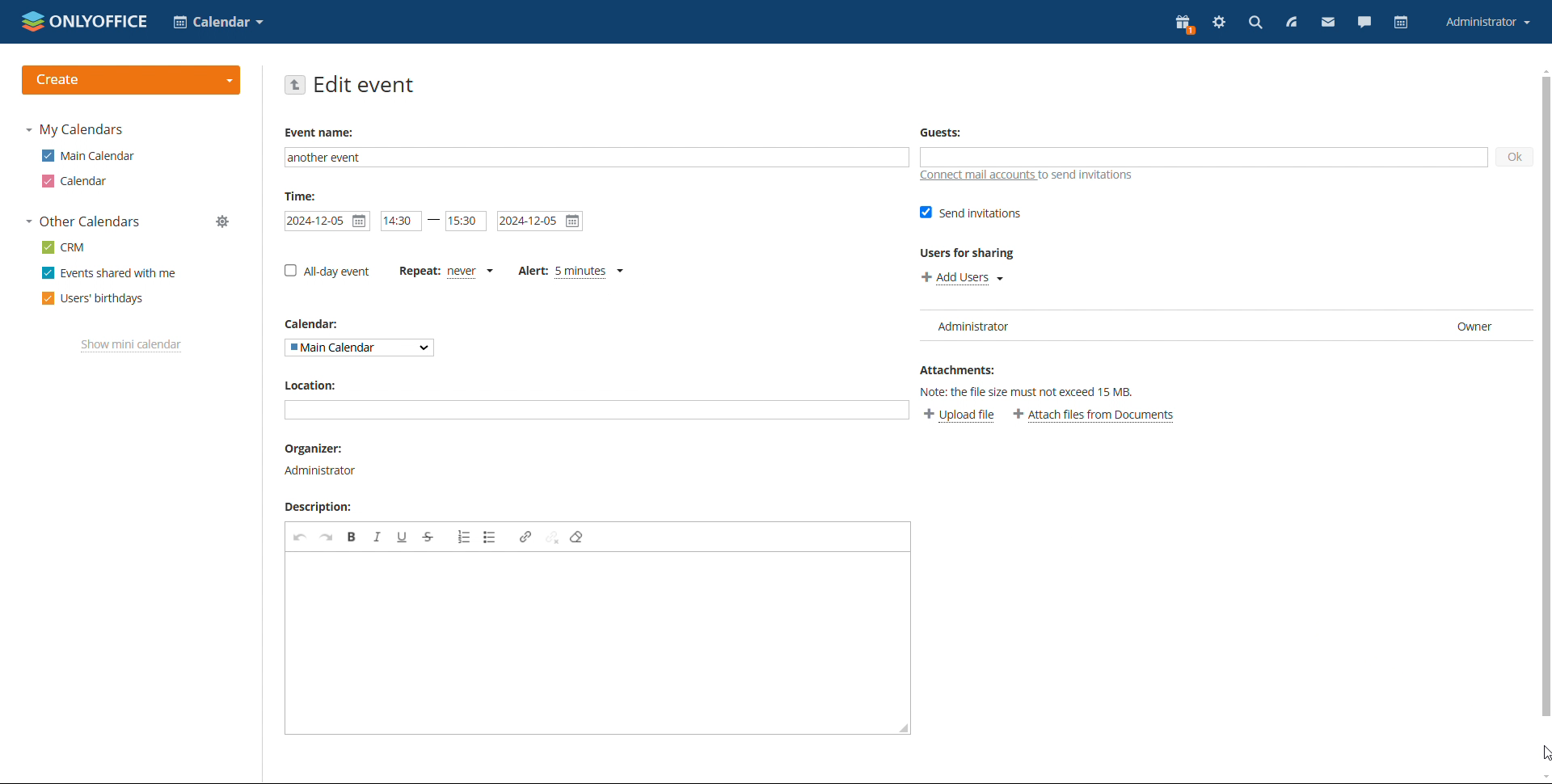 This screenshot has height=784, width=1552. Describe the element at coordinates (959, 416) in the screenshot. I see `upload file` at that location.